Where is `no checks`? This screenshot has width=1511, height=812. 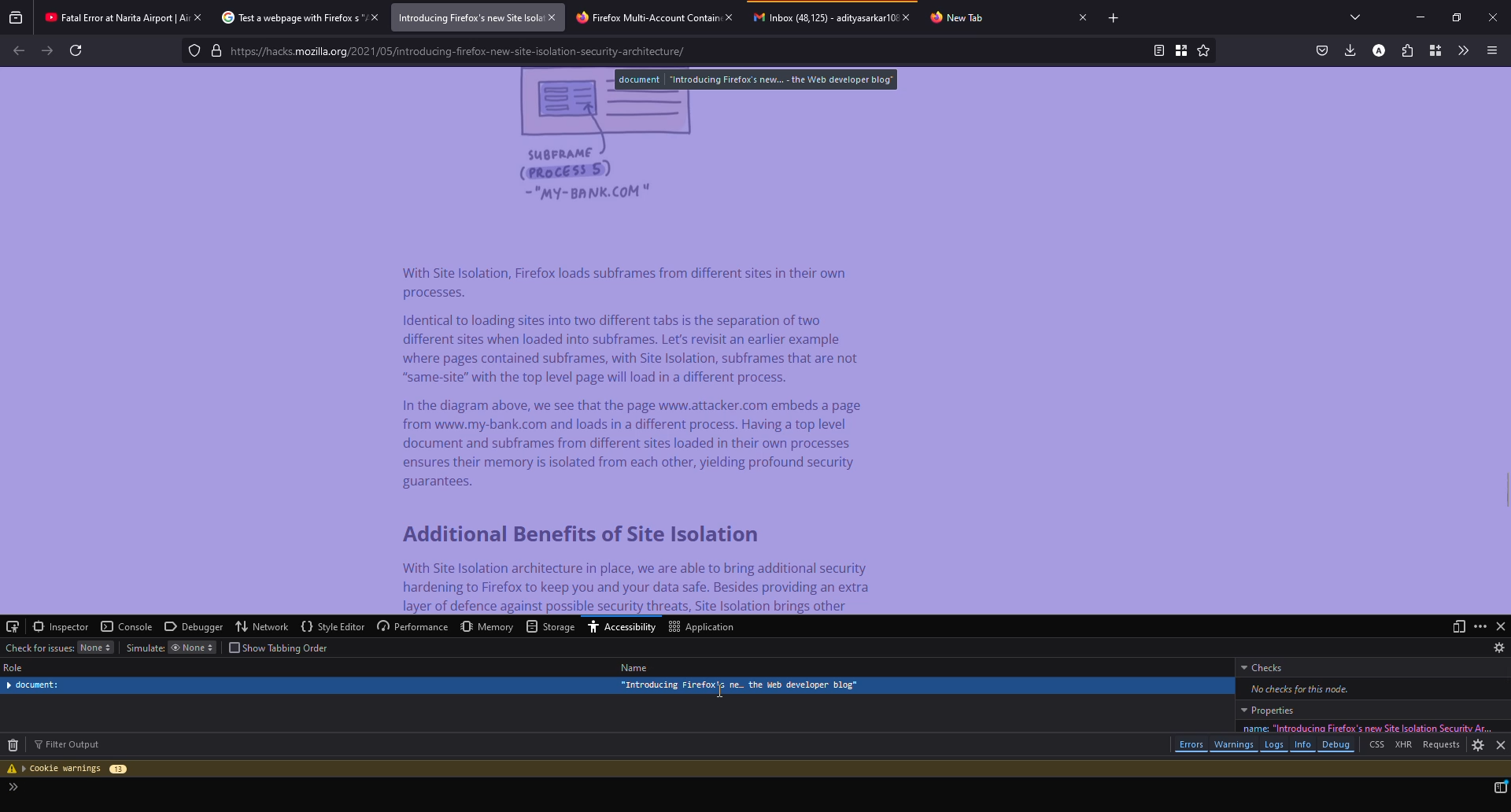 no checks is located at coordinates (1299, 688).